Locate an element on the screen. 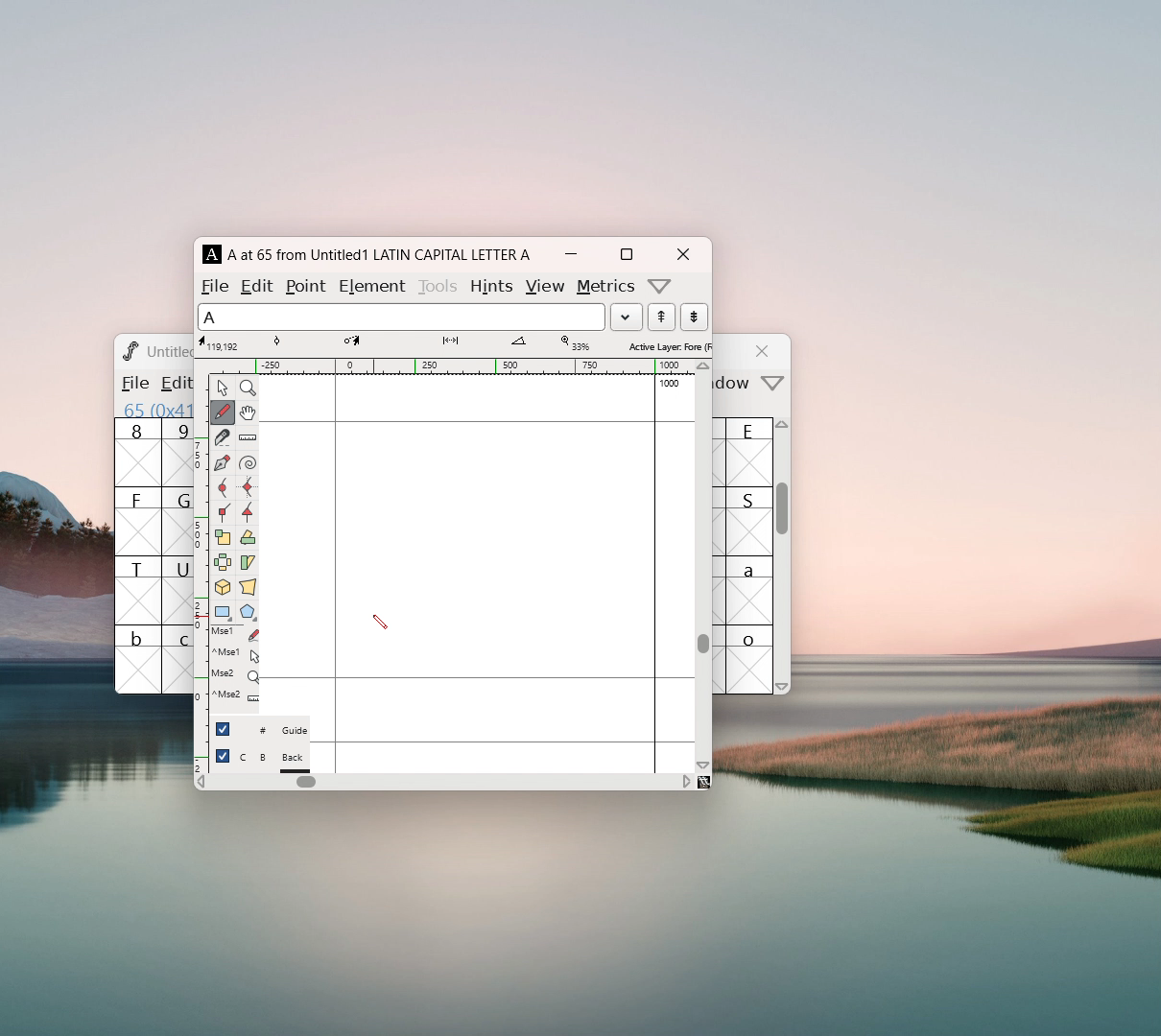 The width and height of the screenshot is (1161, 1036). mimize is located at coordinates (571, 254).